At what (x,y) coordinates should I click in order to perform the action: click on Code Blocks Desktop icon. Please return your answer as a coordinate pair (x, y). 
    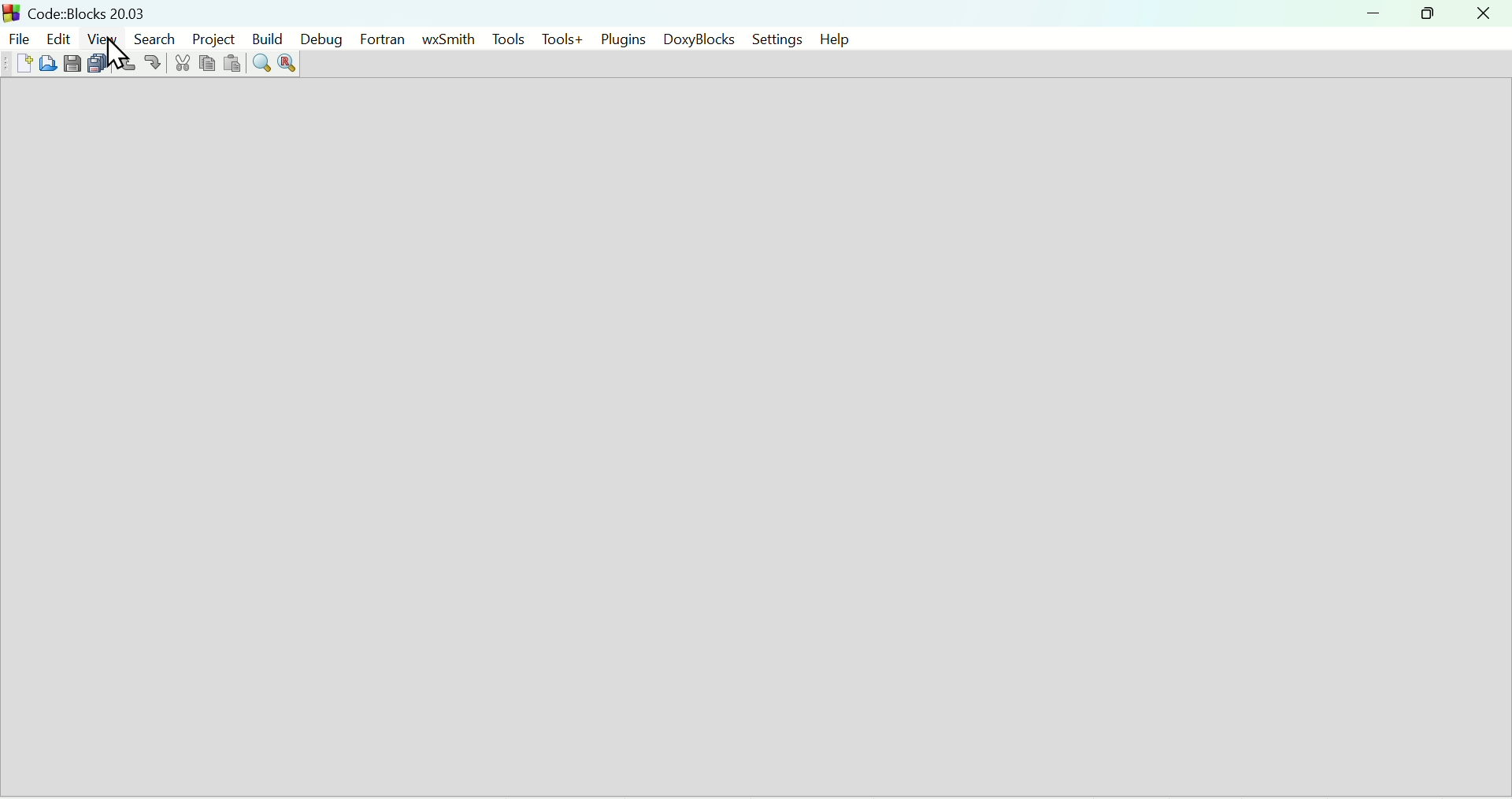
    Looking at the image, I should click on (13, 12).